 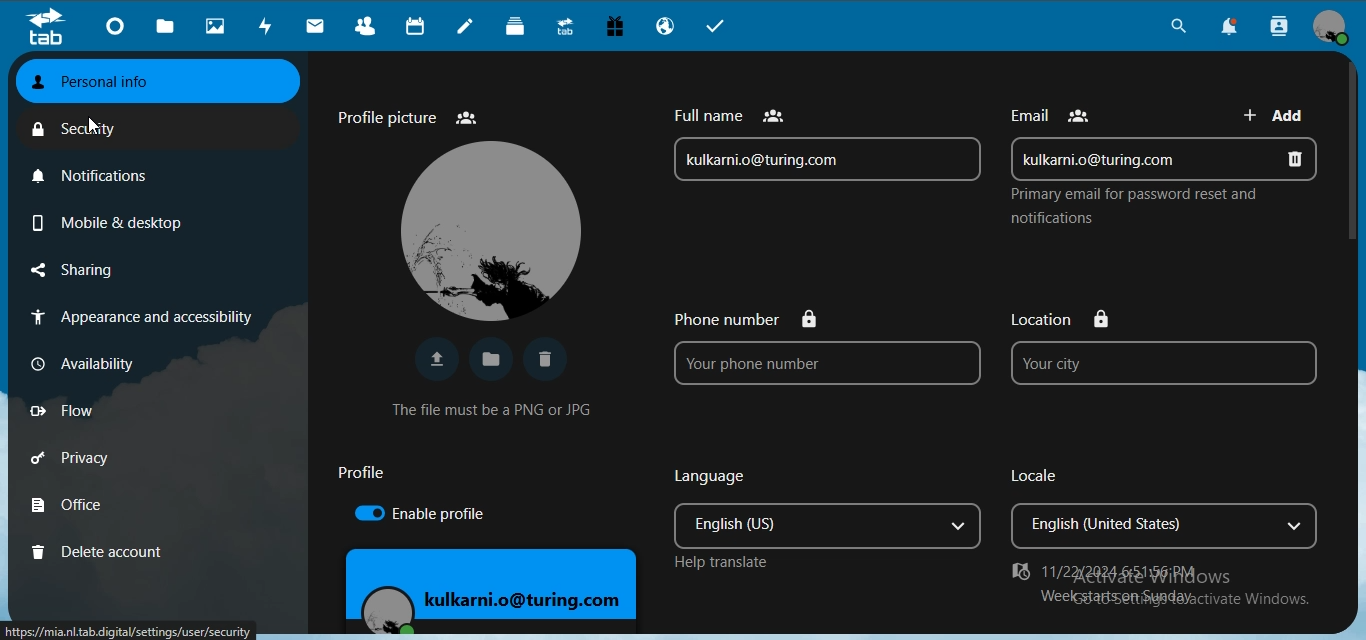 What do you see at coordinates (497, 409) in the screenshot?
I see `info` at bounding box center [497, 409].